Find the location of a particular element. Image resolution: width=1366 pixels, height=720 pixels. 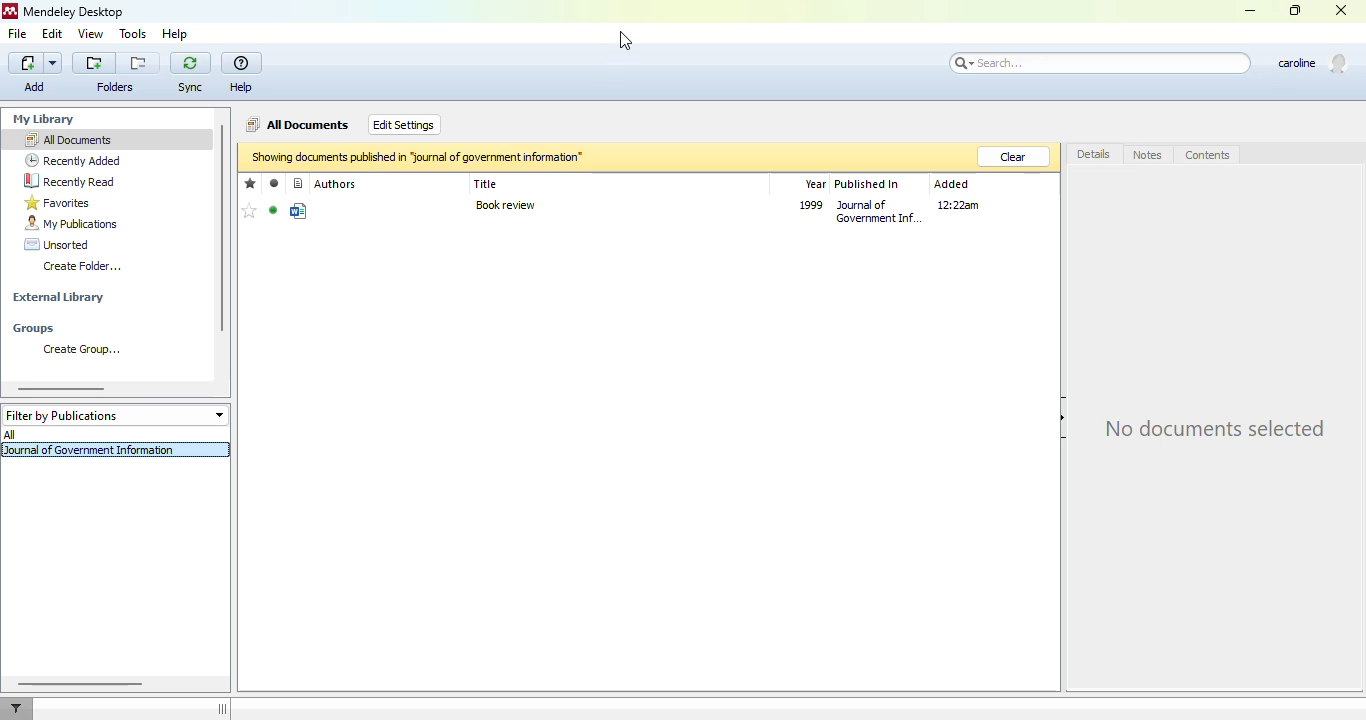

search is located at coordinates (1099, 64).